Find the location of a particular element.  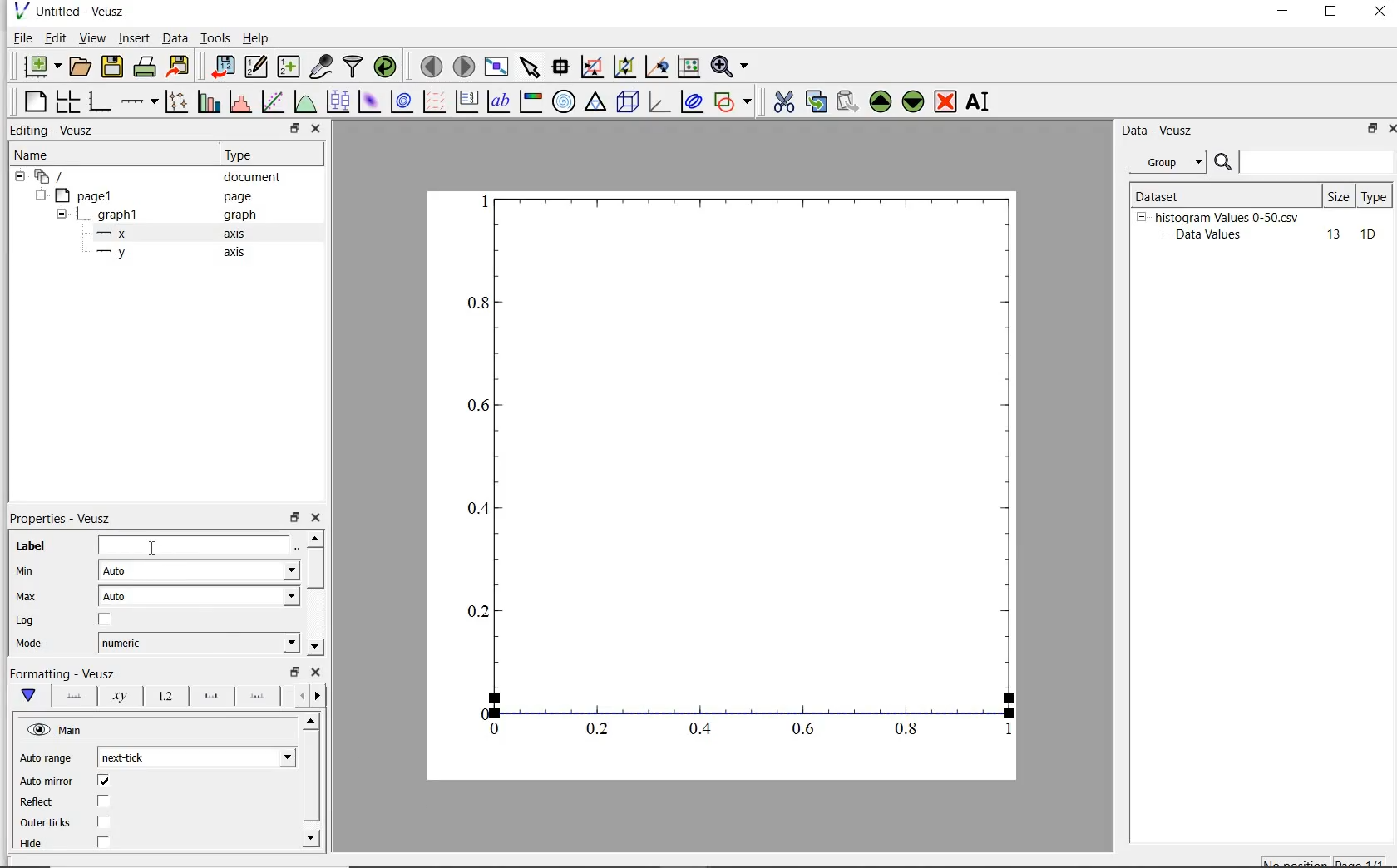

restore down is located at coordinates (1331, 13).